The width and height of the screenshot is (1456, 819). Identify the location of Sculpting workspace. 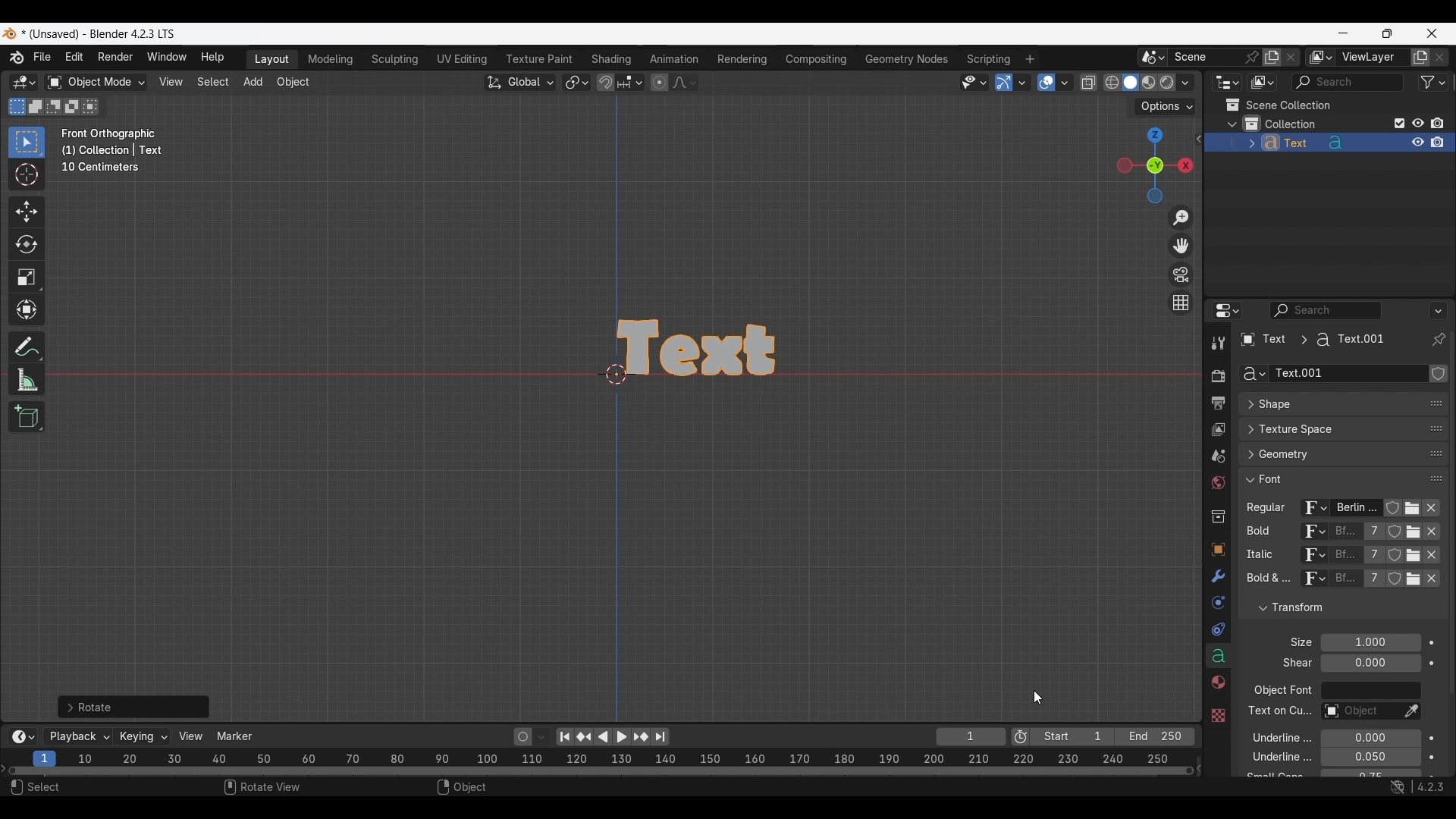
(397, 59).